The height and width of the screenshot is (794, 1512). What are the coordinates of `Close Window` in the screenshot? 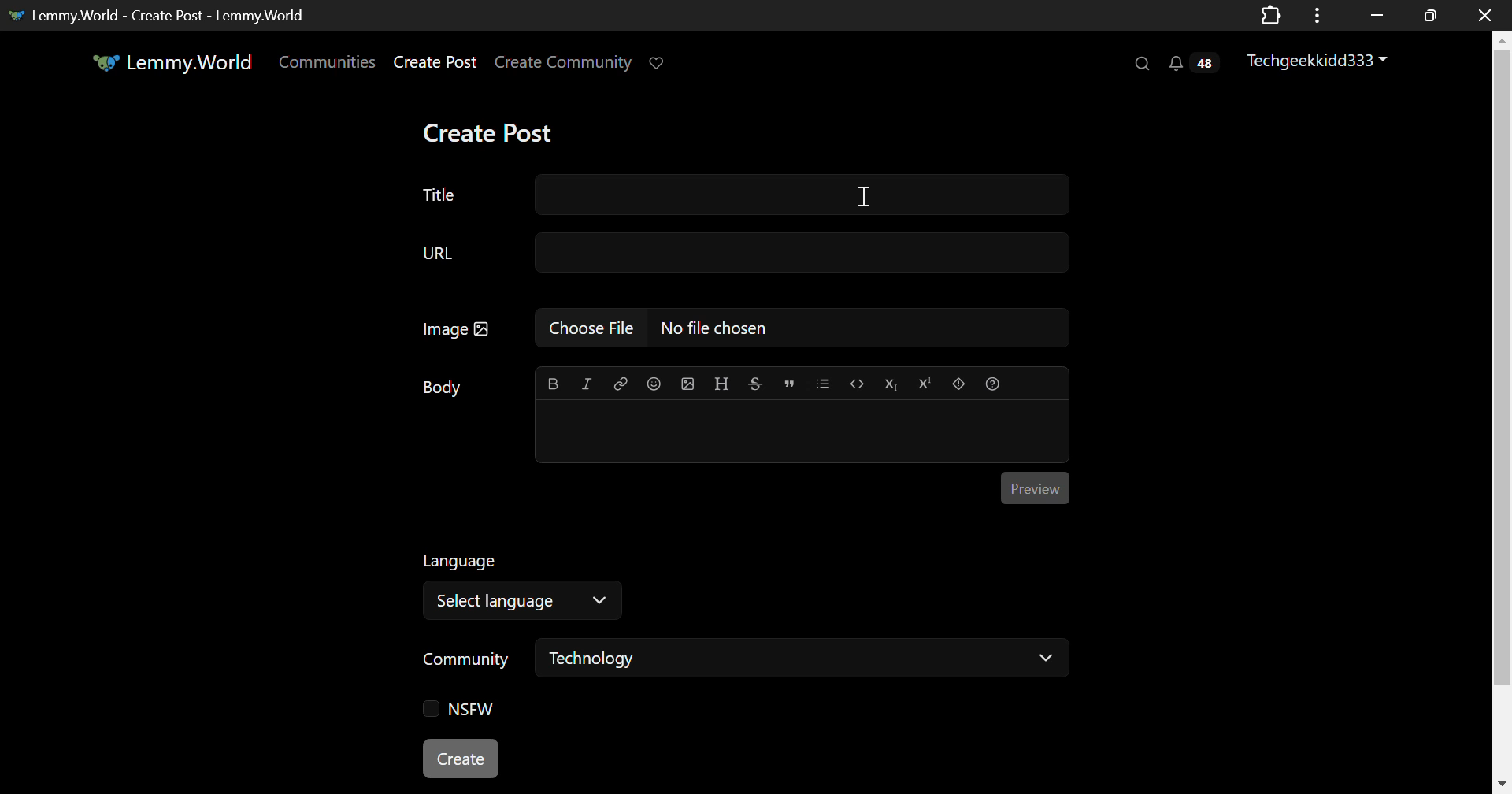 It's located at (1480, 16).